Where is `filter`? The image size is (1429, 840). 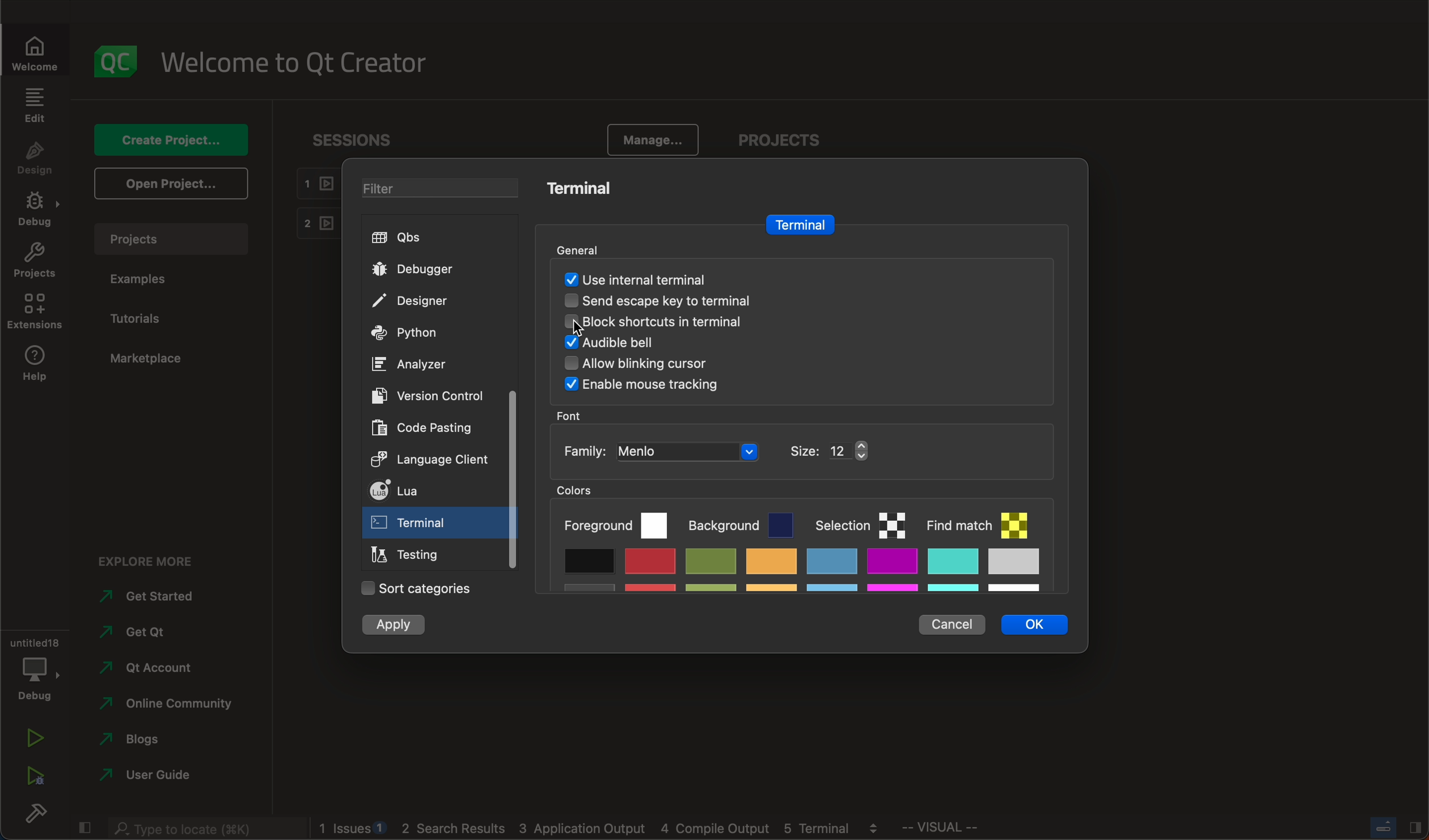
filter is located at coordinates (429, 185).